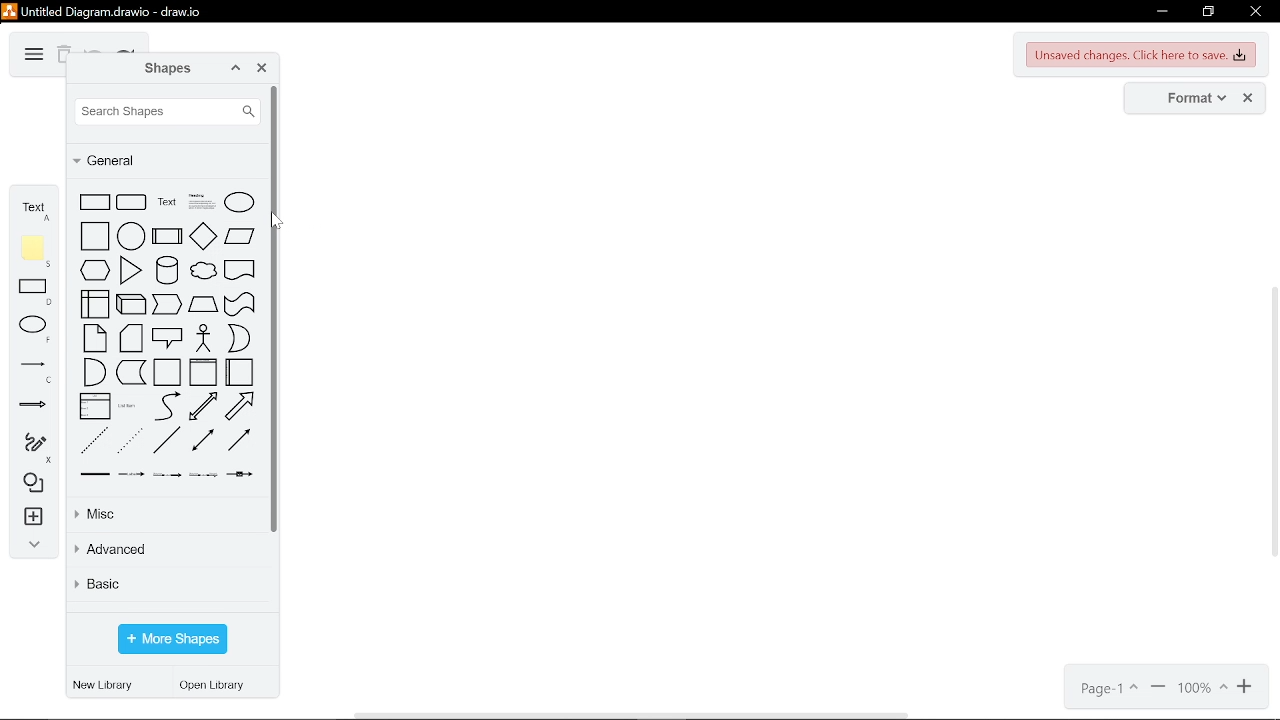  What do you see at coordinates (95, 406) in the screenshot?
I see `list` at bounding box center [95, 406].